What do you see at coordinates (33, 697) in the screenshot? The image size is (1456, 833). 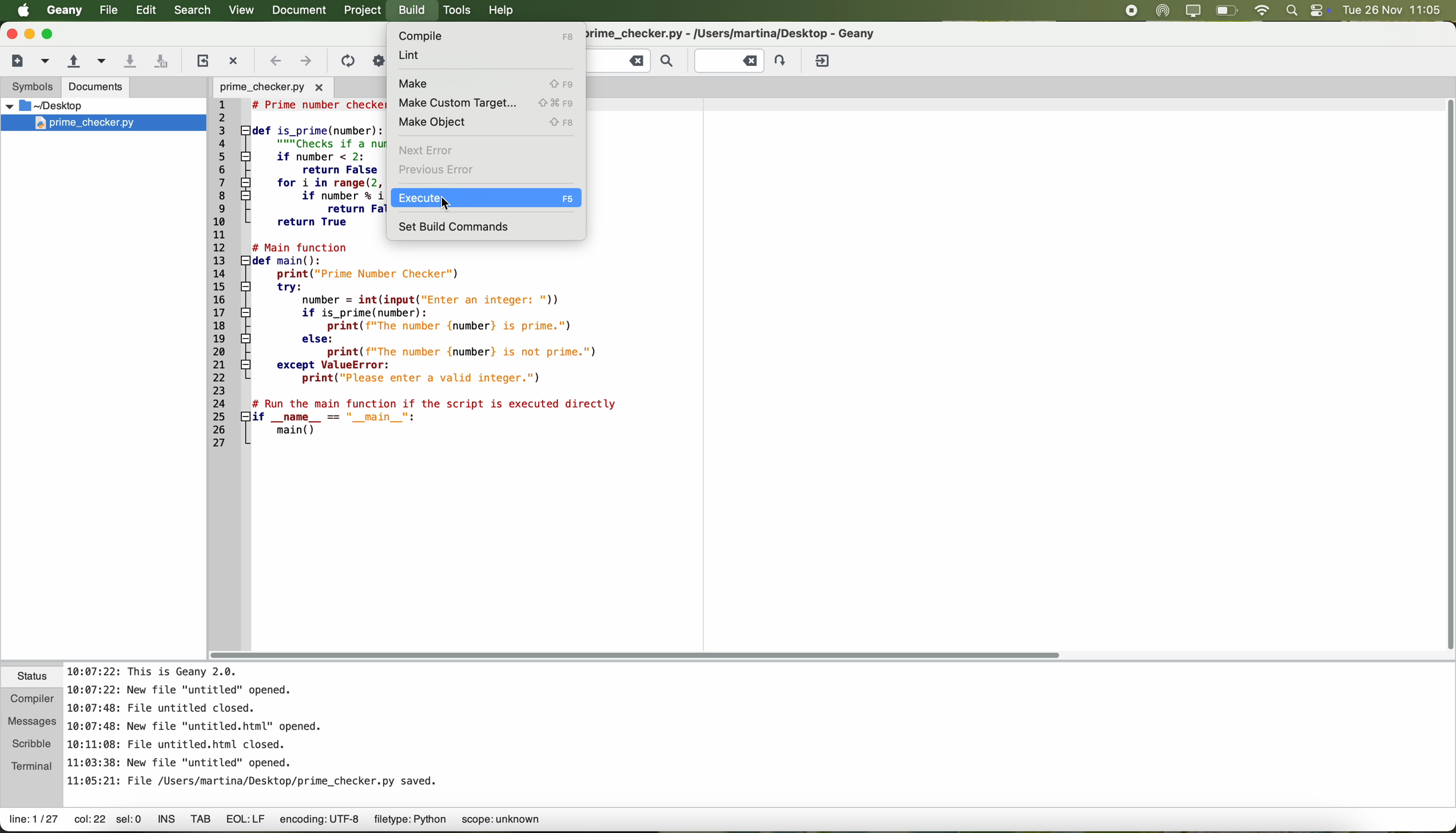 I see `compiler` at bounding box center [33, 697].